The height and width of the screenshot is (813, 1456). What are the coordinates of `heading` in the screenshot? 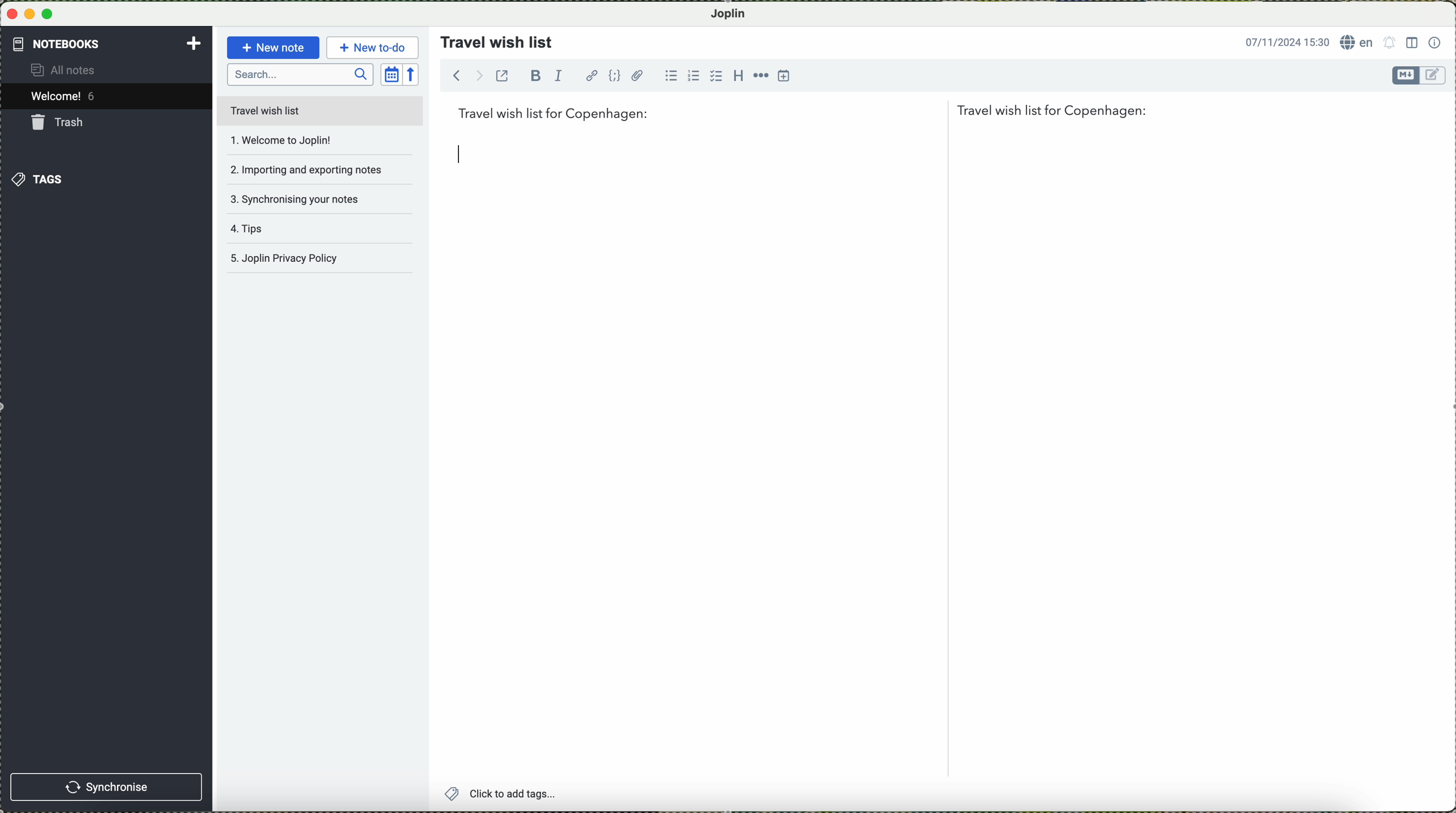 It's located at (736, 75).